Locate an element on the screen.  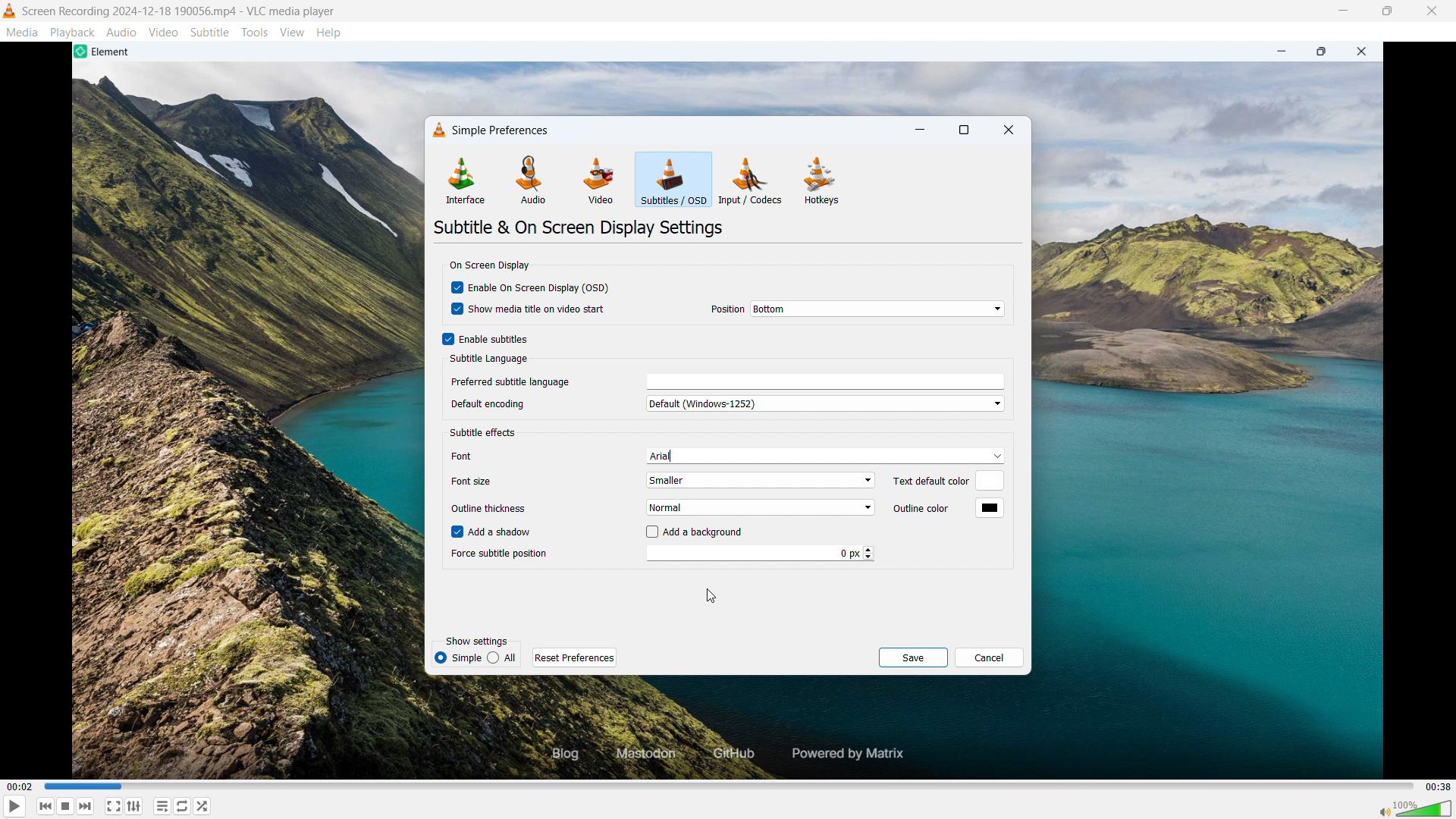
close dialogue box is located at coordinates (1008, 131).